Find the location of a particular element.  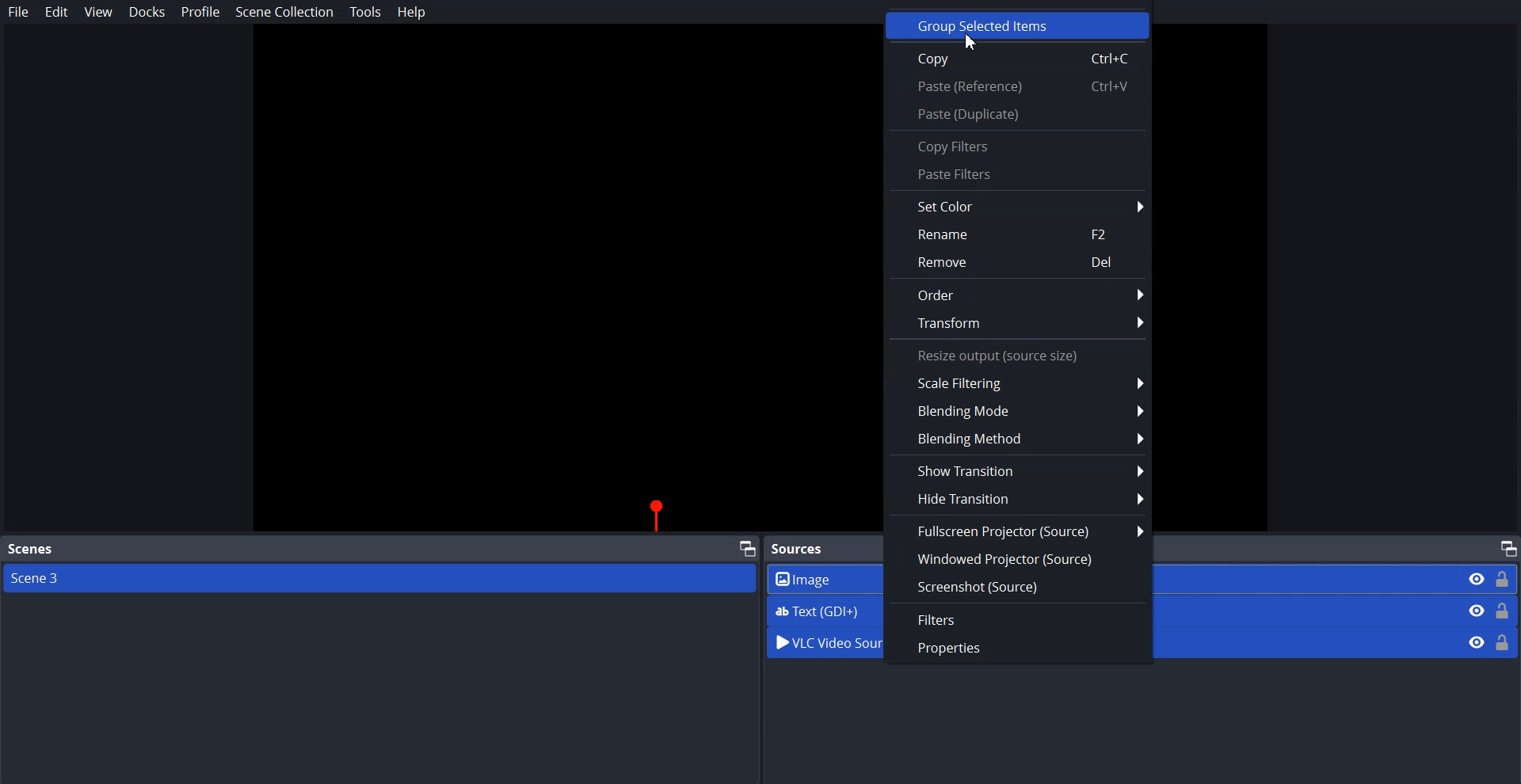

Lock is located at coordinates (1504, 641).